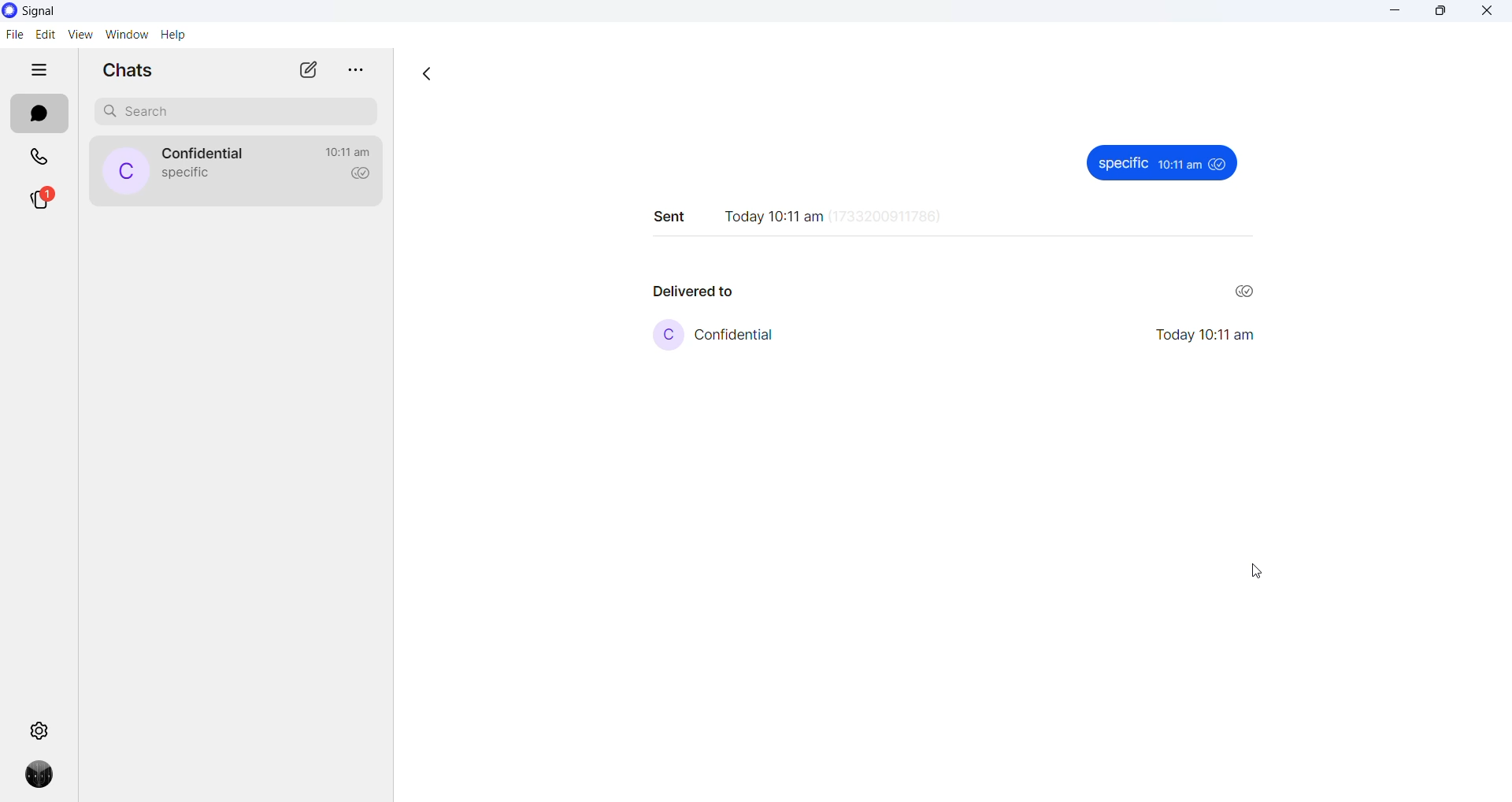 The width and height of the screenshot is (1512, 802). Describe the element at coordinates (1250, 293) in the screenshot. I see `read recipient` at that location.